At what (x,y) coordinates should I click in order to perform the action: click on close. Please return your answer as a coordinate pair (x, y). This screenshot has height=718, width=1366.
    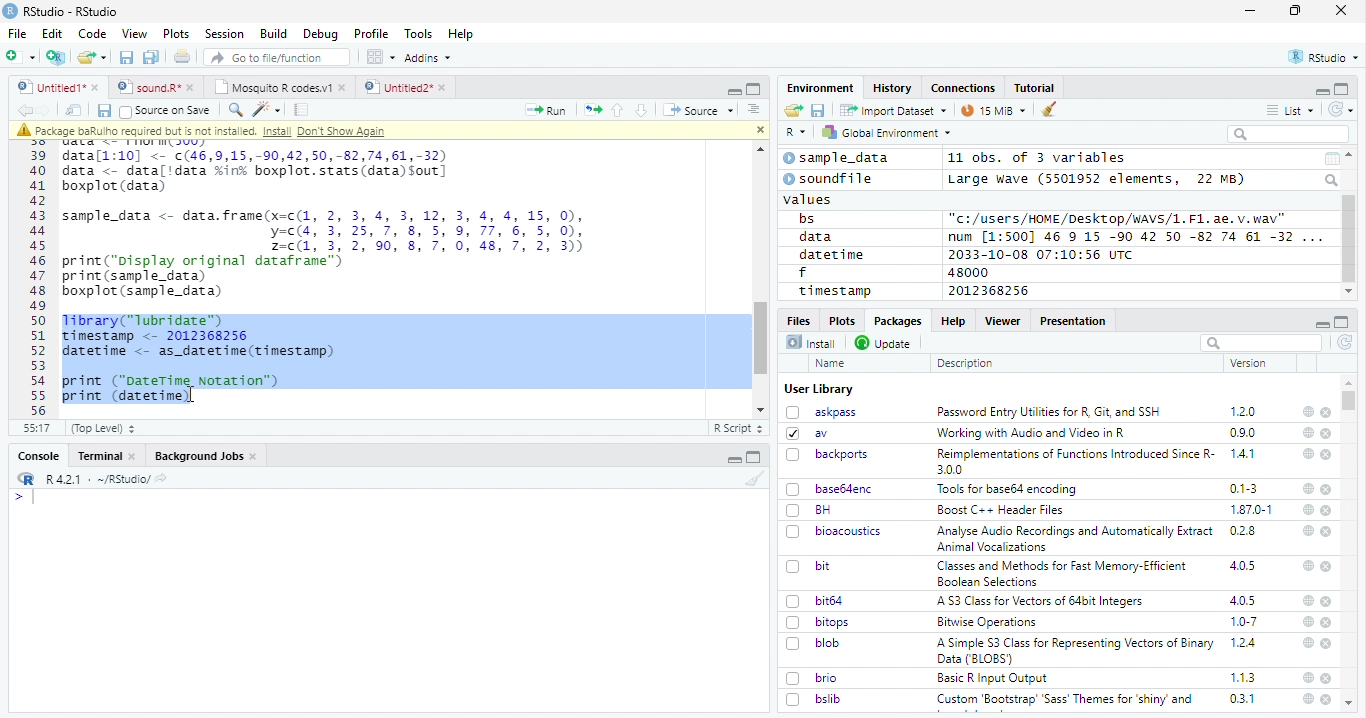
    Looking at the image, I should click on (1328, 532).